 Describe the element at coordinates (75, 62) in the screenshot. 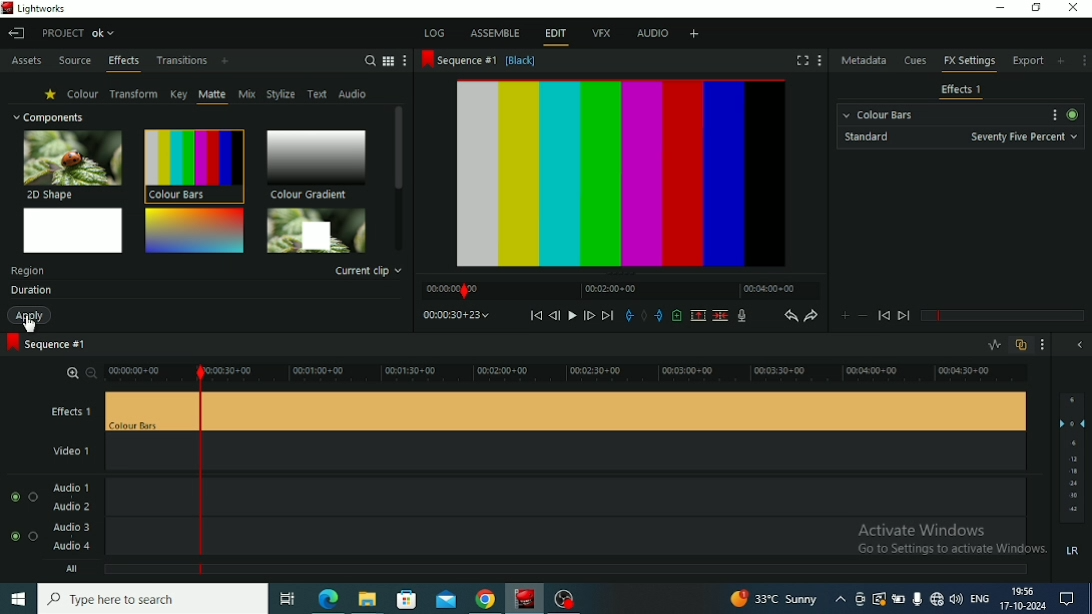

I see `Source` at that location.